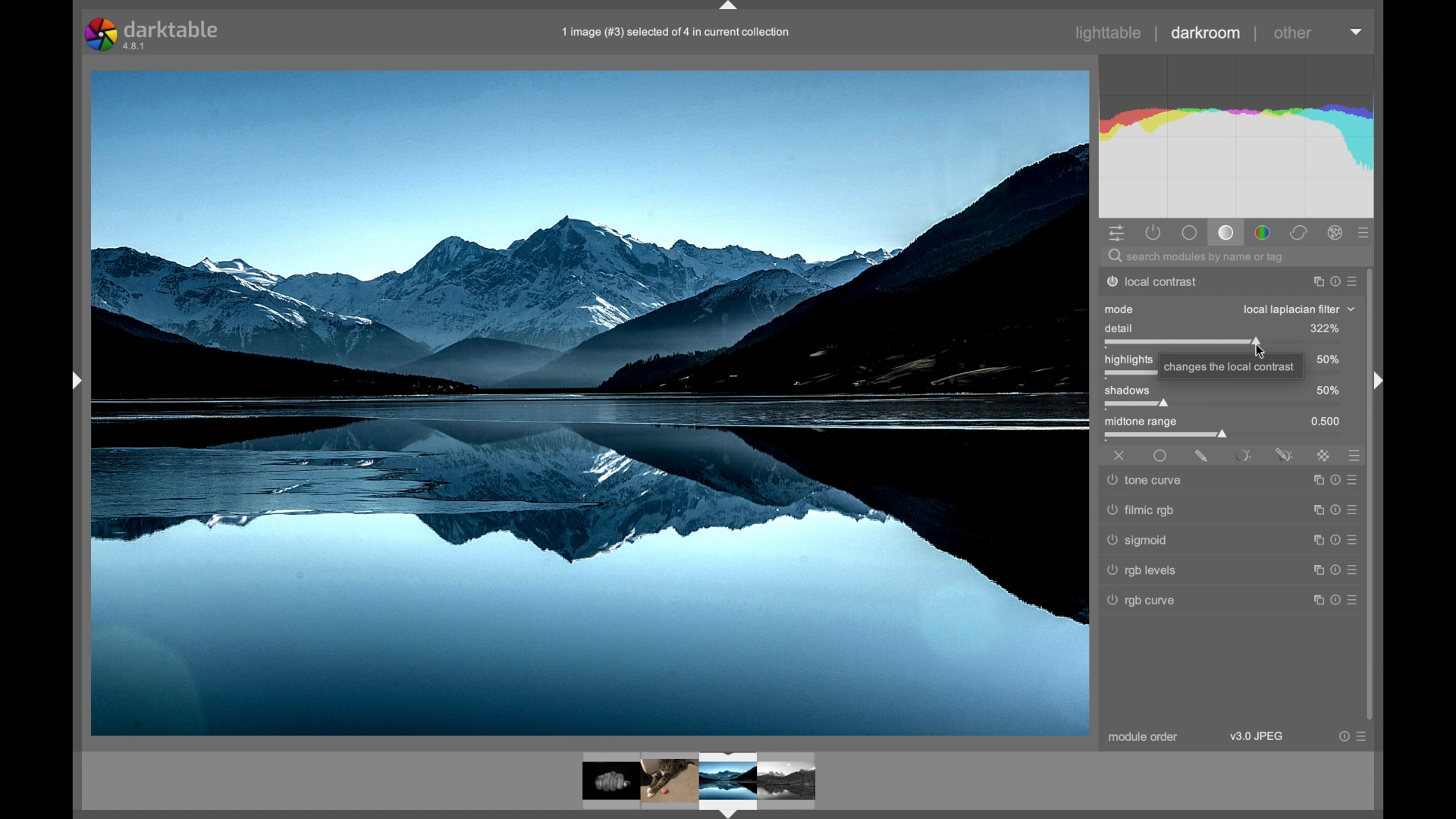 This screenshot has height=819, width=1456. Describe the element at coordinates (1120, 456) in the screenshot. I see `off` at that location.